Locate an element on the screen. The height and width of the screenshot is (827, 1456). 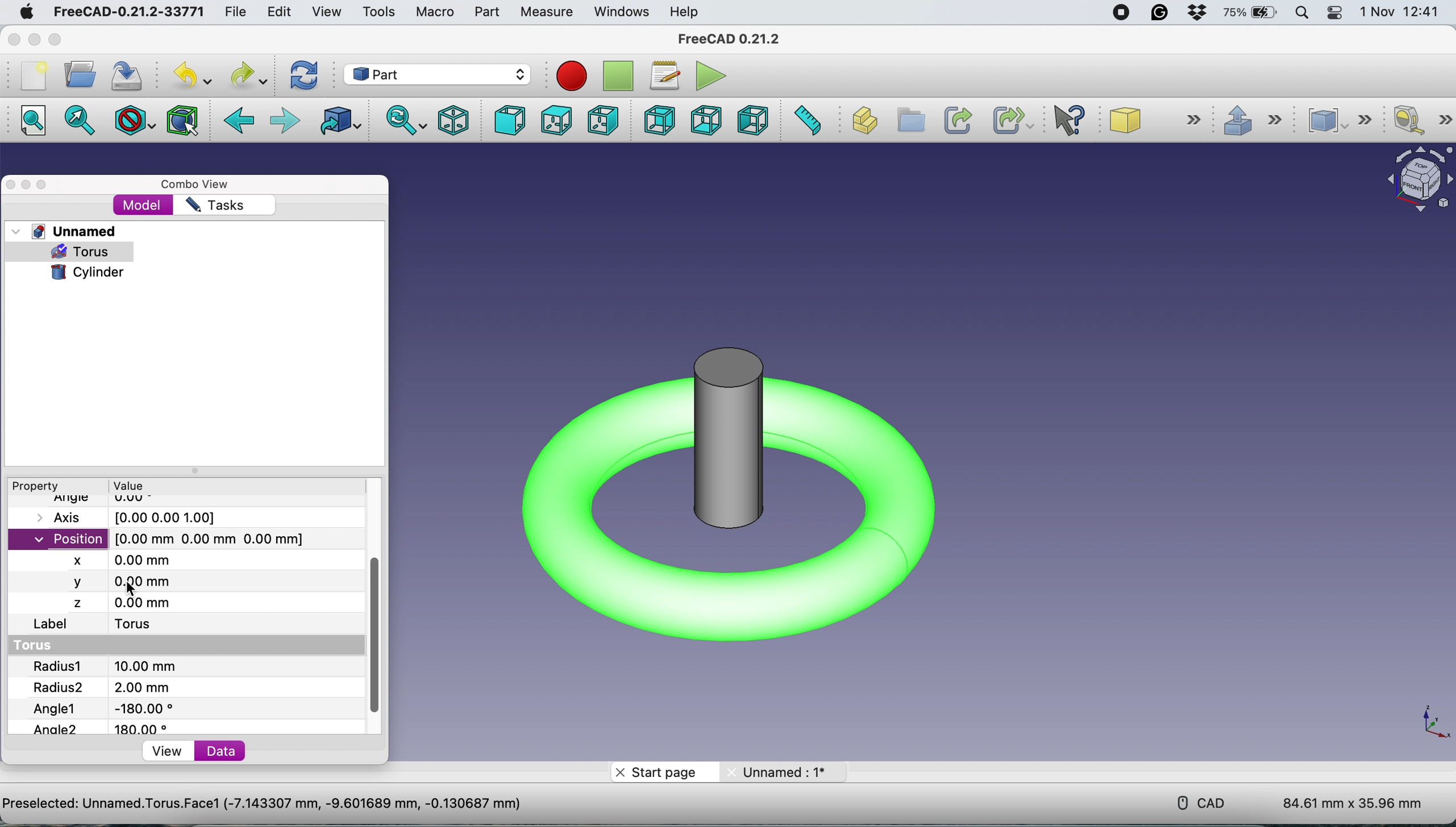
create link is located at coordinates (956, 119).